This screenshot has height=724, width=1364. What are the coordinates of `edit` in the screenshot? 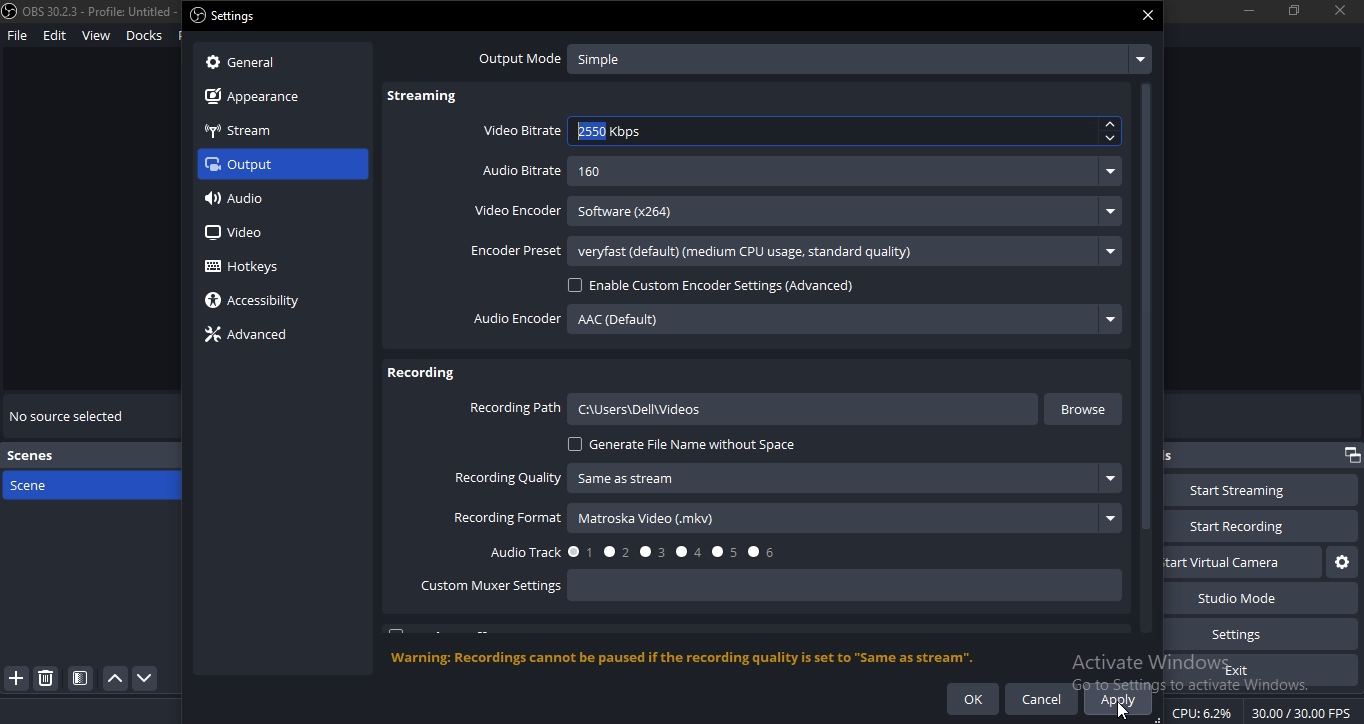 It's located at (54, 36).